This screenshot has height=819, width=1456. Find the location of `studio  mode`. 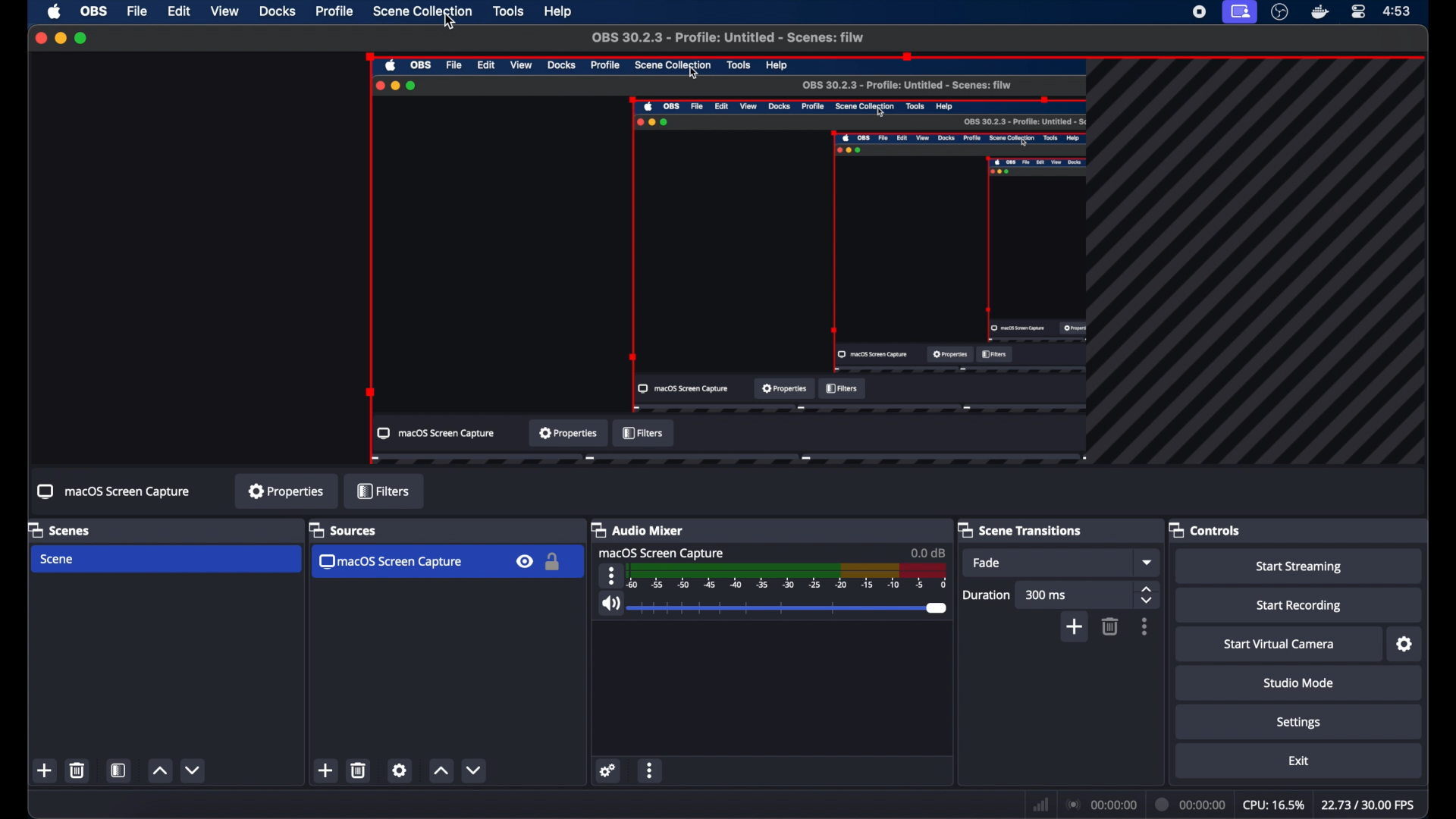

studio  mode is located at coordinates (1297, 682).